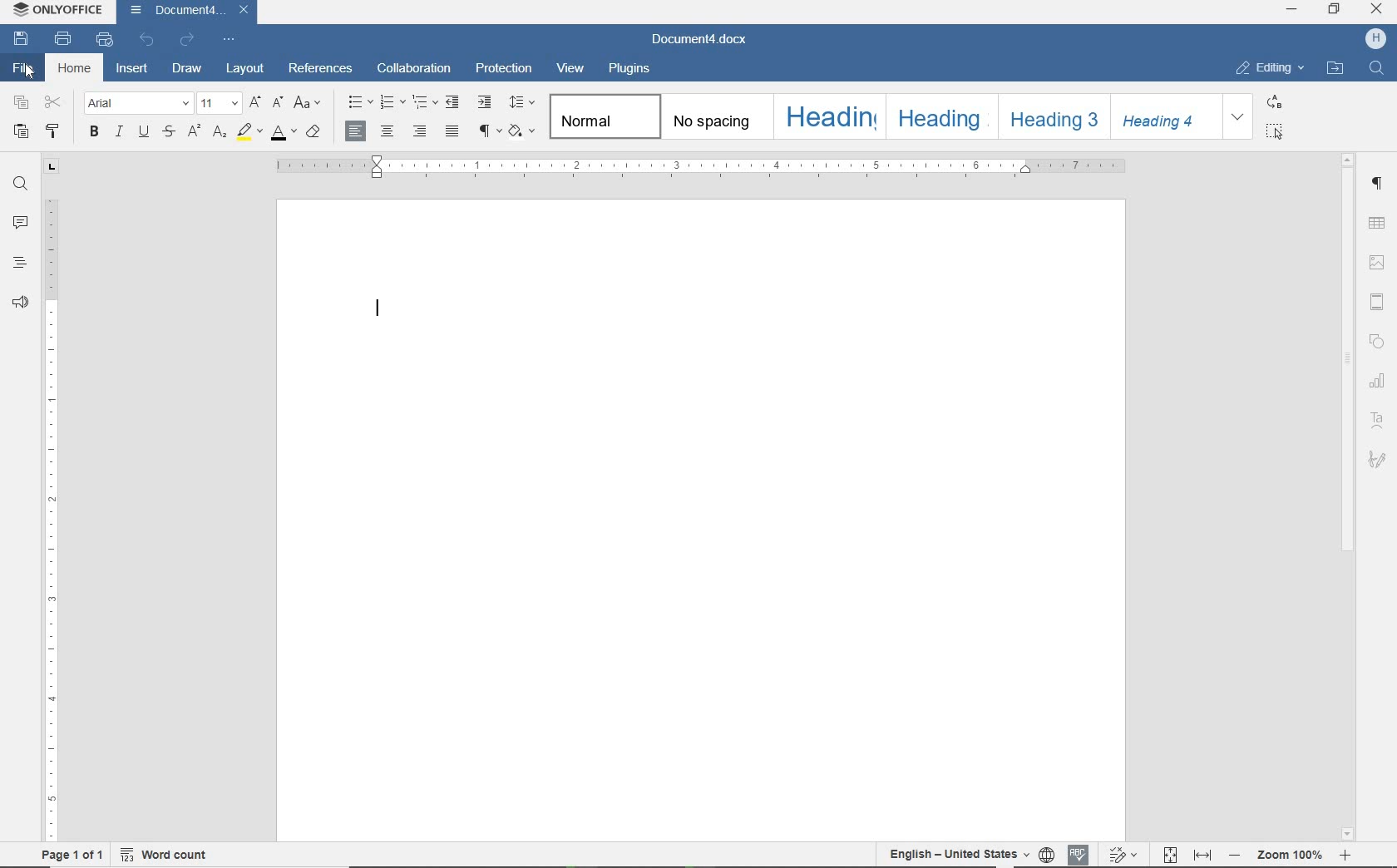 This screenshot has height=868, width=1397. What do you see at coordinates (222, 134) in the screenshot?
I see `subscript` at bounding box center [222, 134].